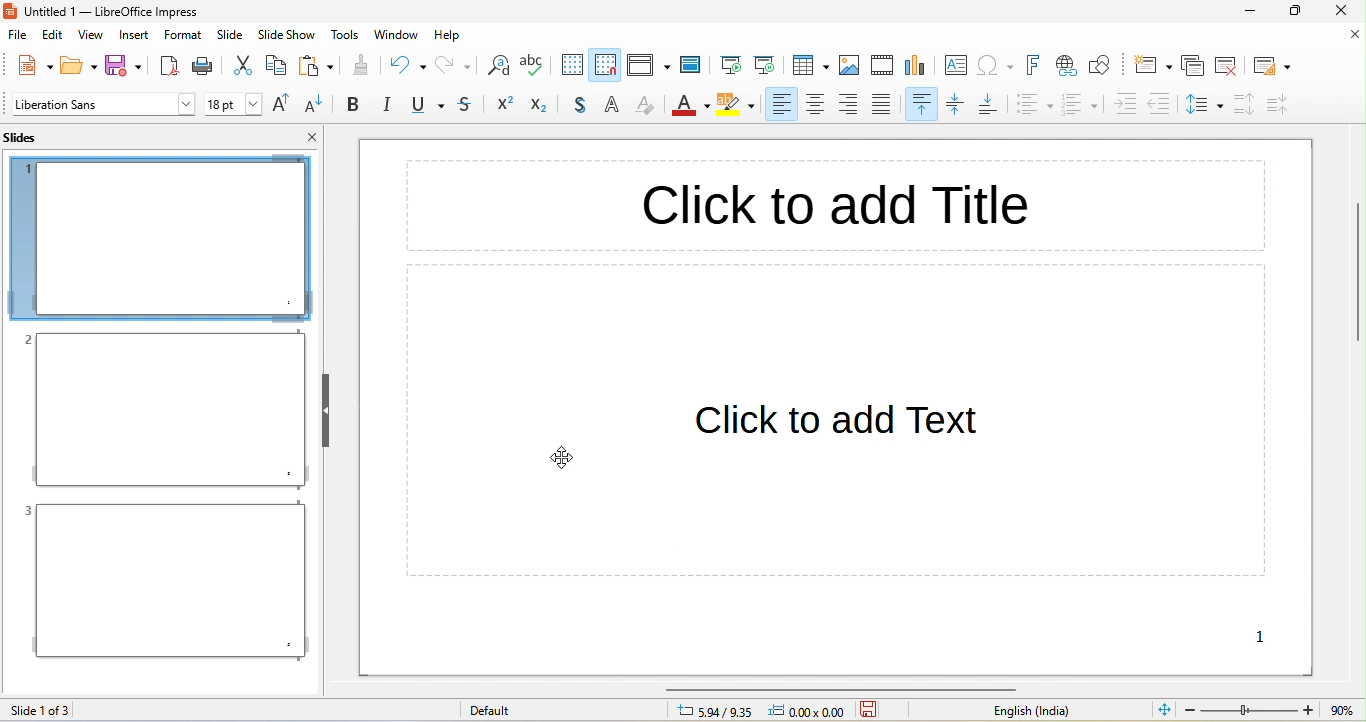  I want to click on maximize, so click(1297, 12).